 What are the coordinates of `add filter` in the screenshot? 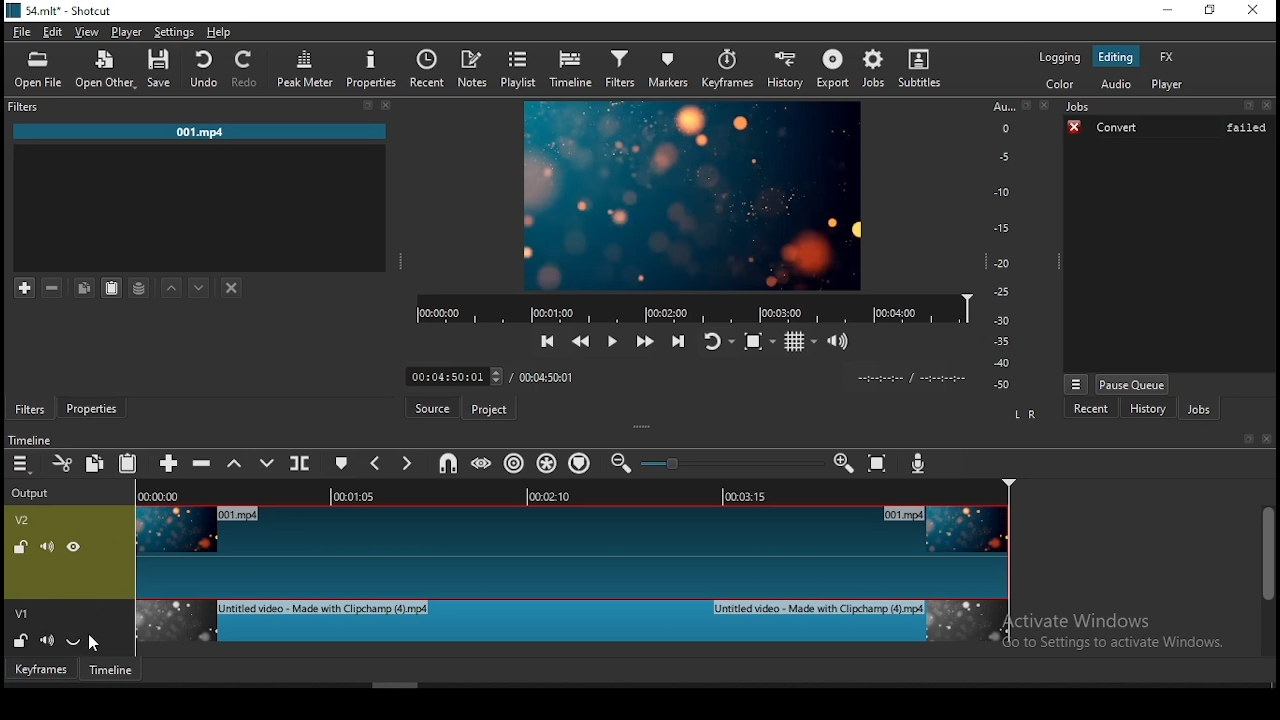 It's located at (25, 286).